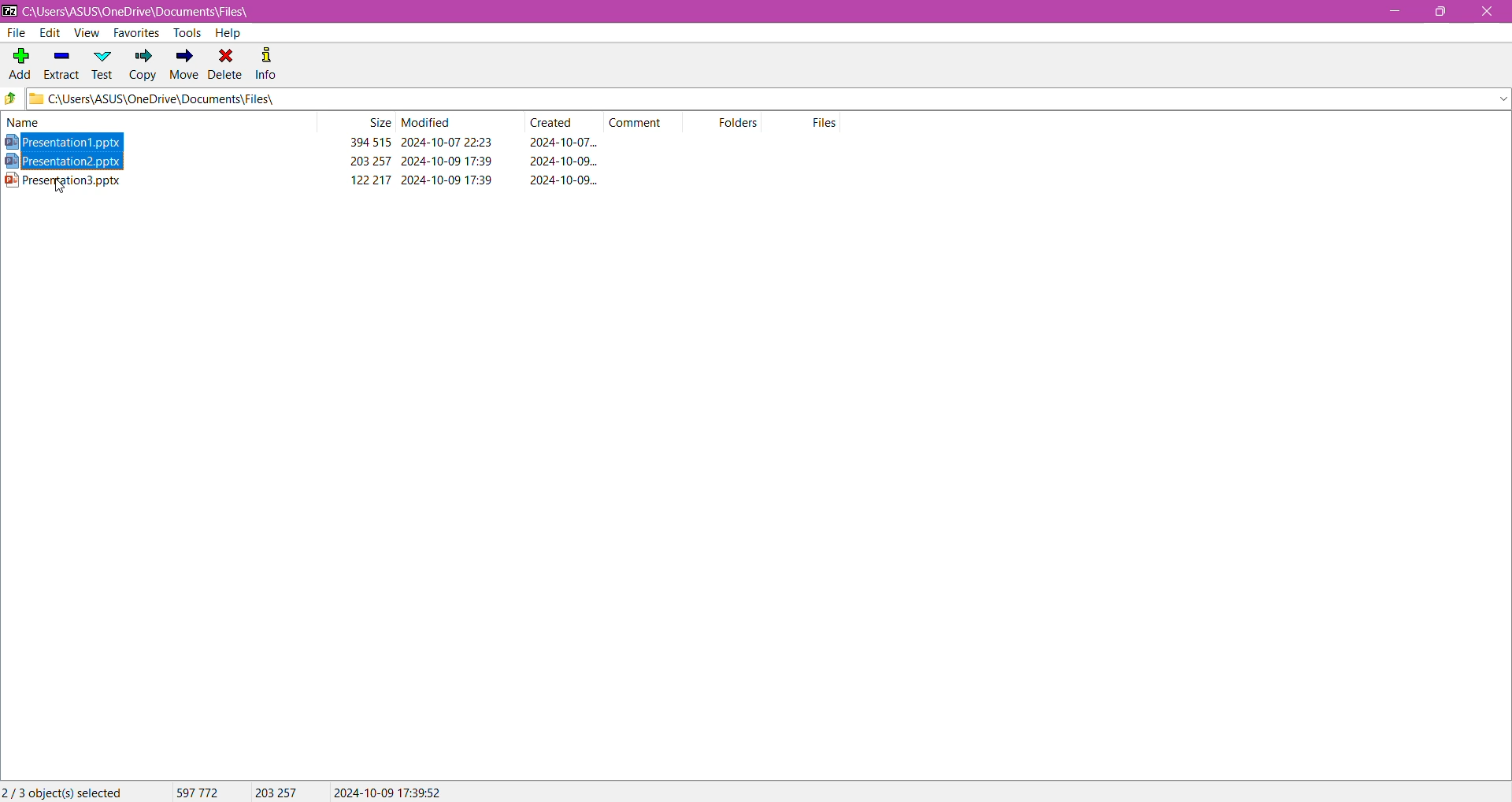 This screenshot has height=802, width=1512. Describe the element at coordinates (428, 123) in the screenshot. I see `Modified` at that location.